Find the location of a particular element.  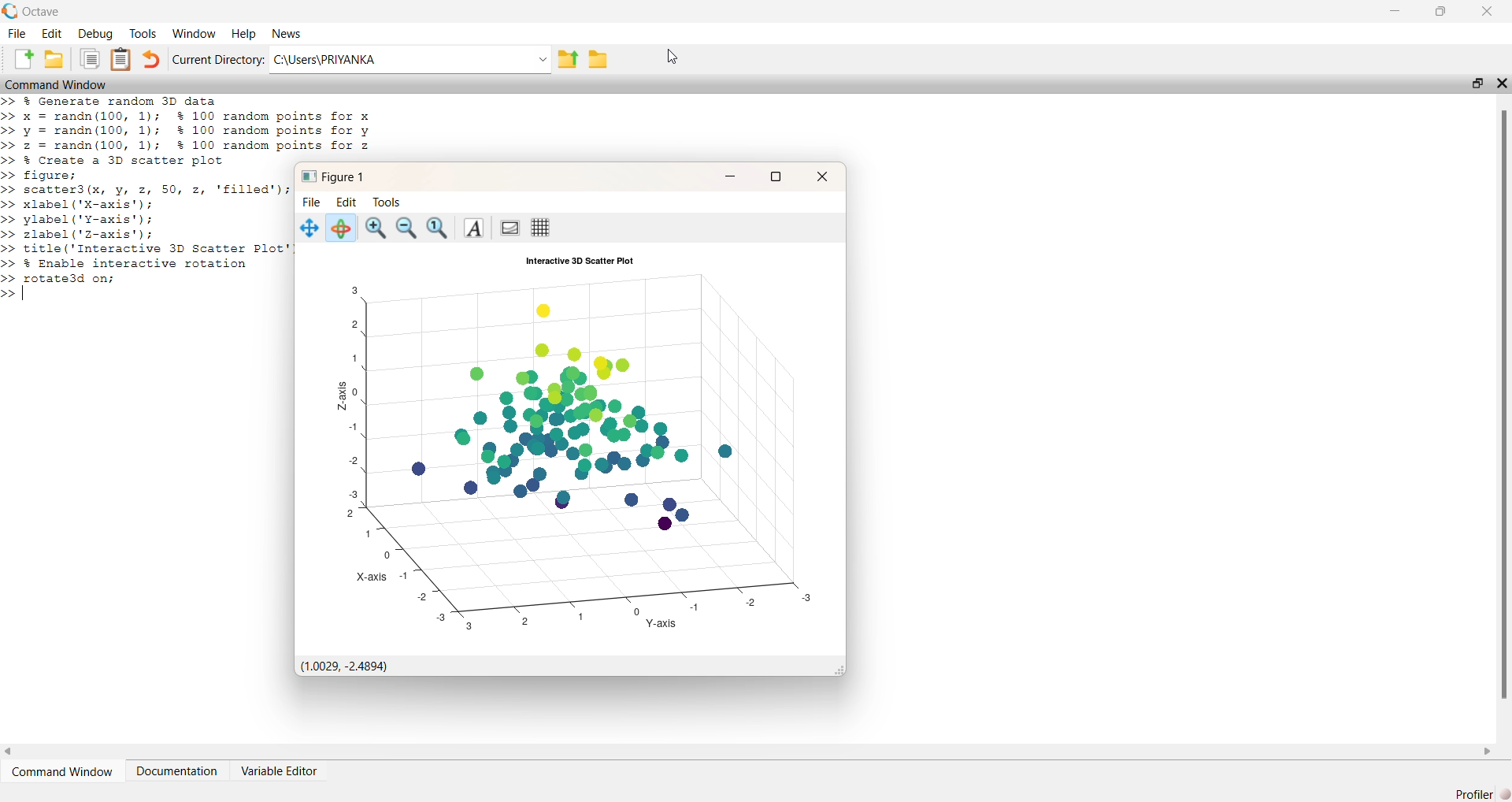

3D plot is located at coordinates (578, 450).